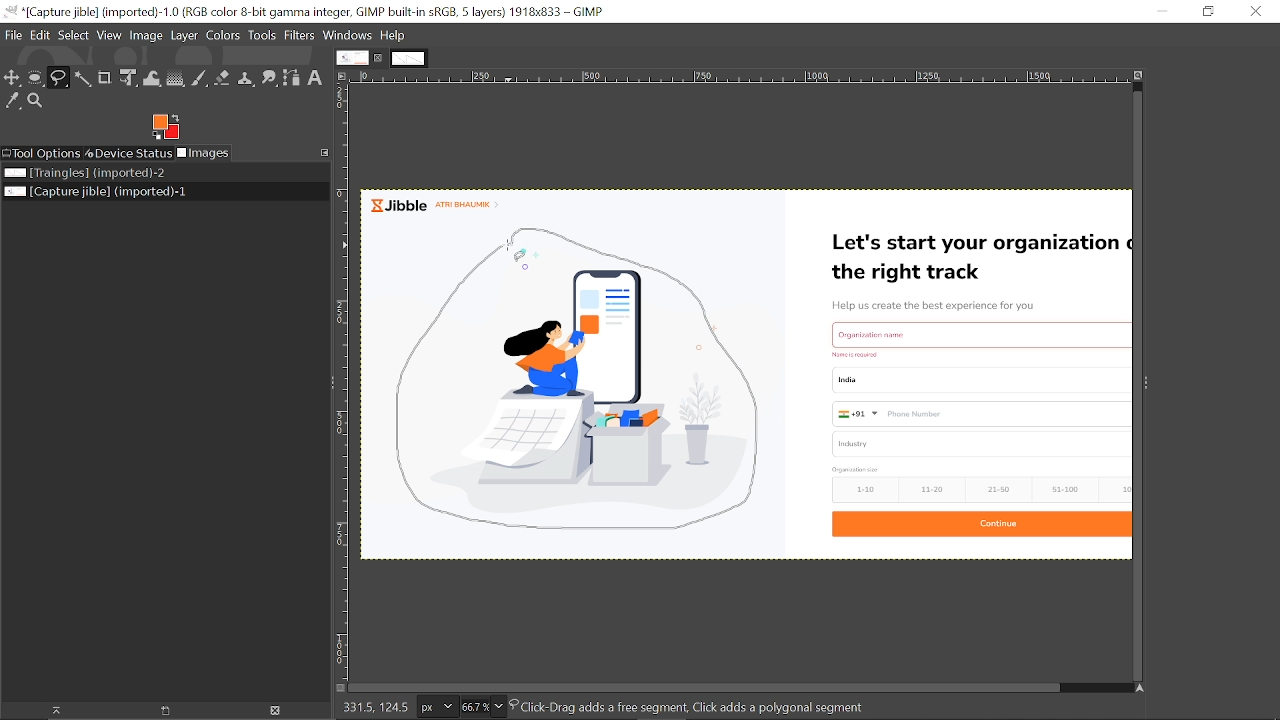 The width and height of the screenshot is (1280, 720). I want to click on Wrap text tool, so click(152, 79).